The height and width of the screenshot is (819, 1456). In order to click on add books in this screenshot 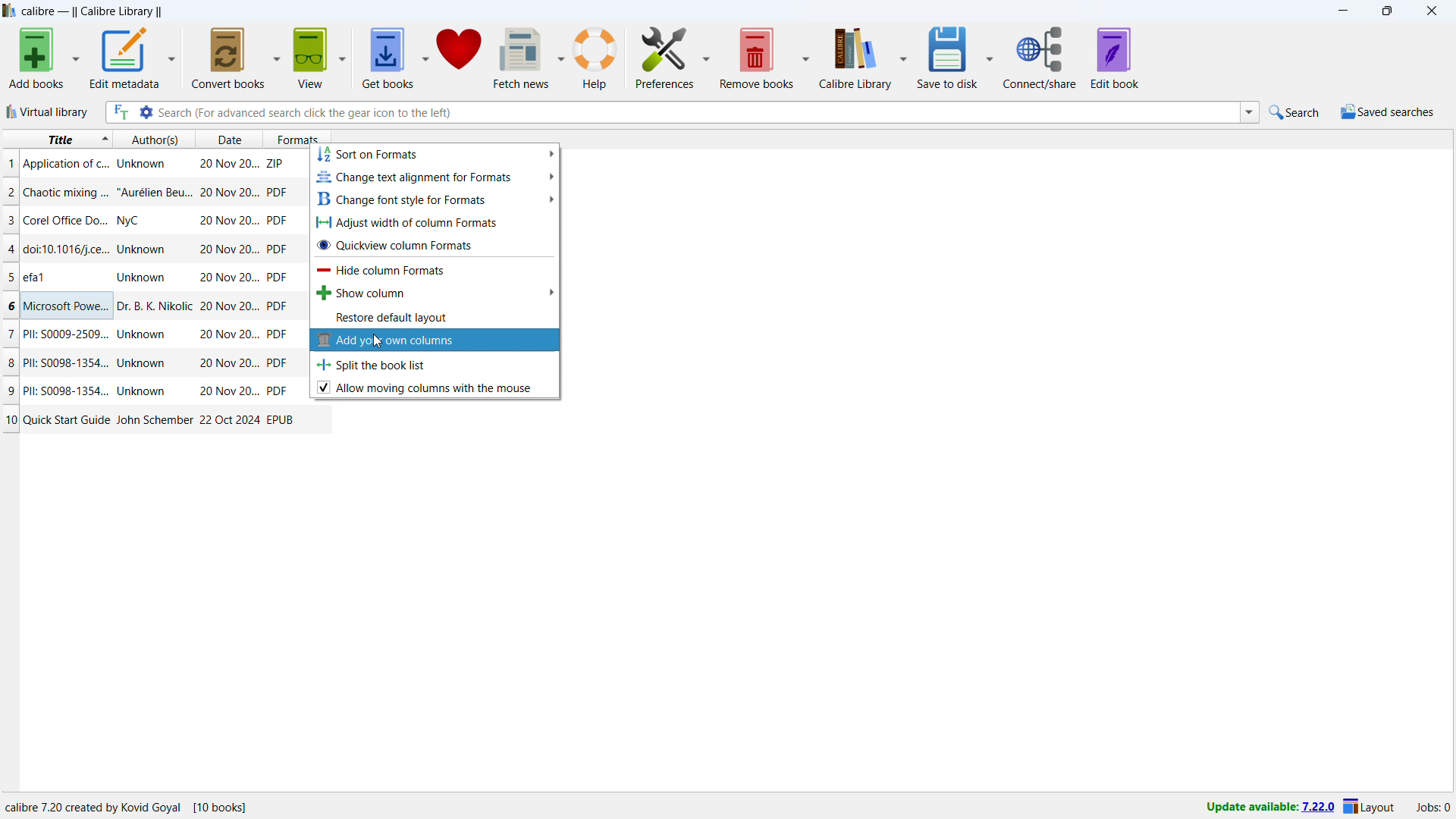, I will do `click(37, 58)`.